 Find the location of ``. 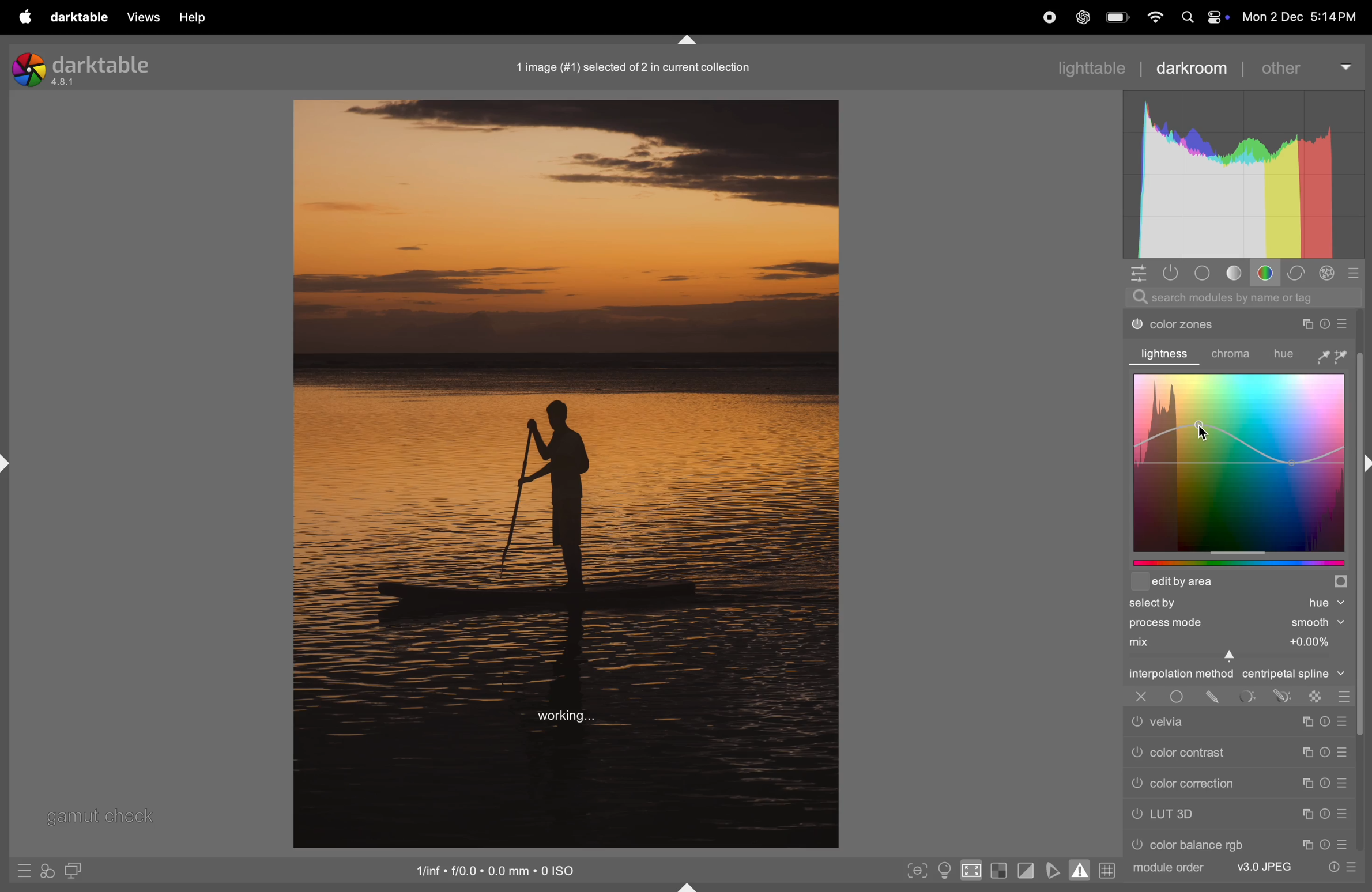

 is located at coordinates (1363, 582).